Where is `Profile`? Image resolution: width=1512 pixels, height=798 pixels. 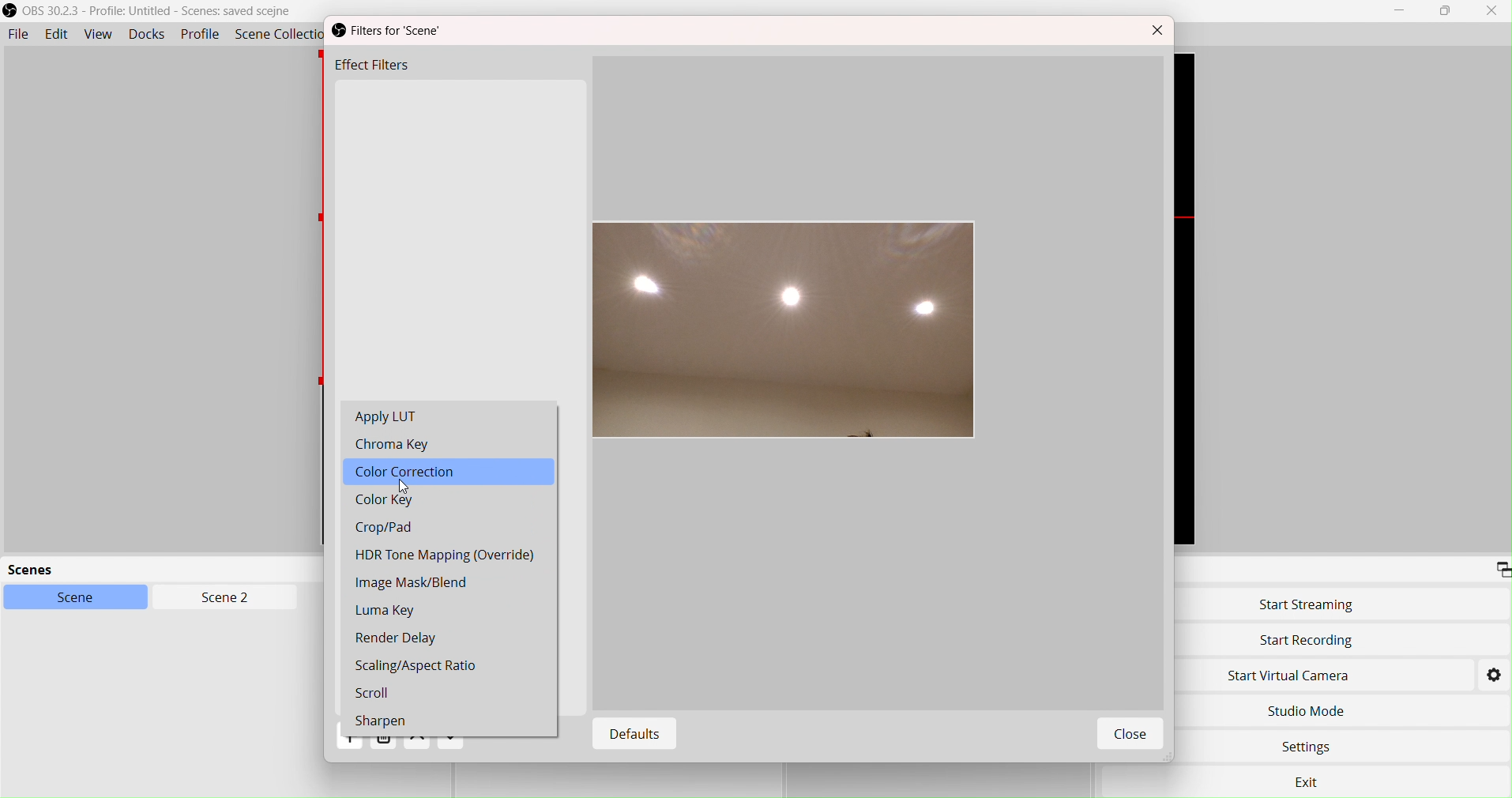
Profile is located at coordinates (201, 36).